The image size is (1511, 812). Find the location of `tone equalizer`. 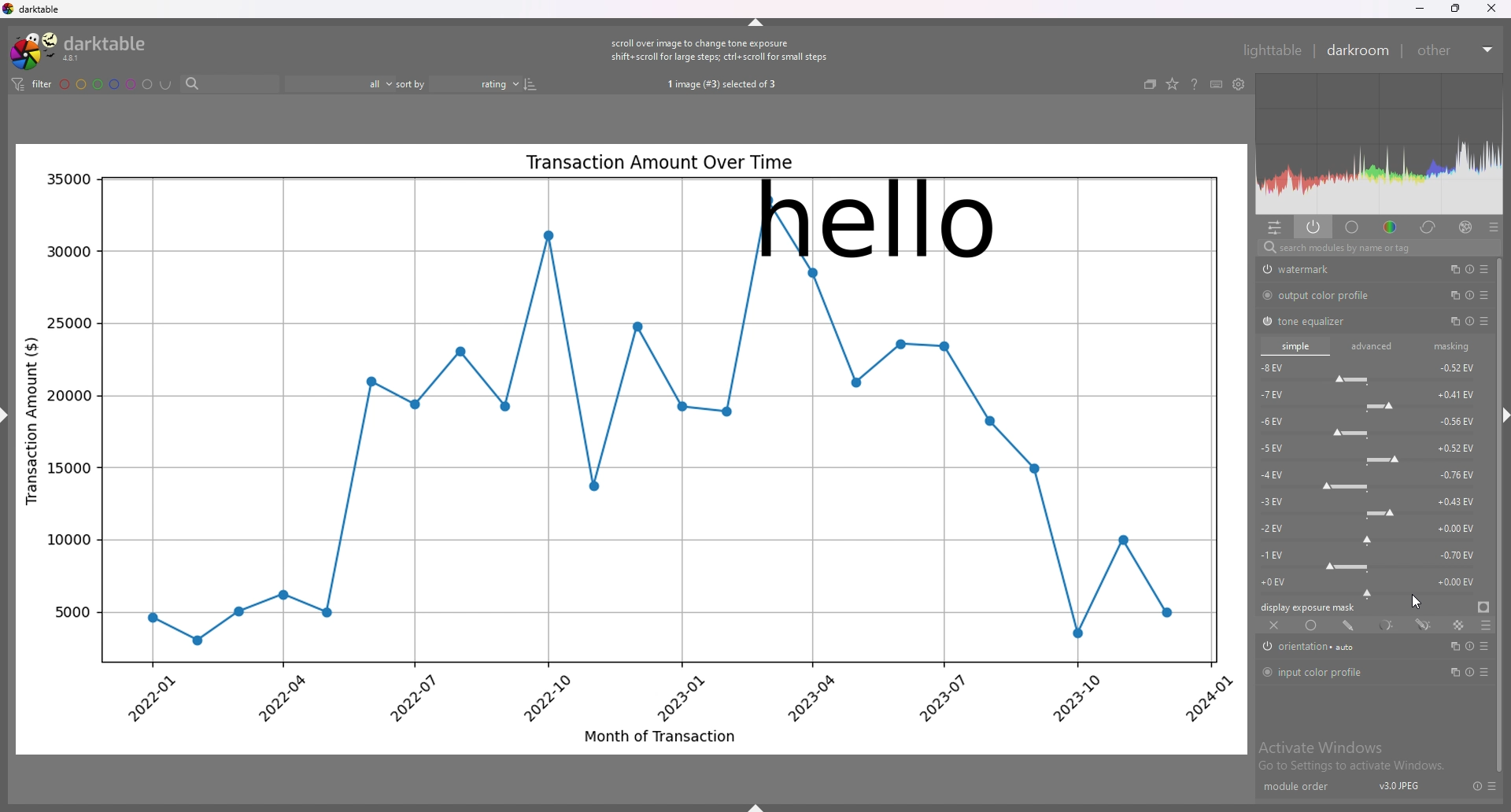

tone equalizer is located at coordinates (1315, 322).